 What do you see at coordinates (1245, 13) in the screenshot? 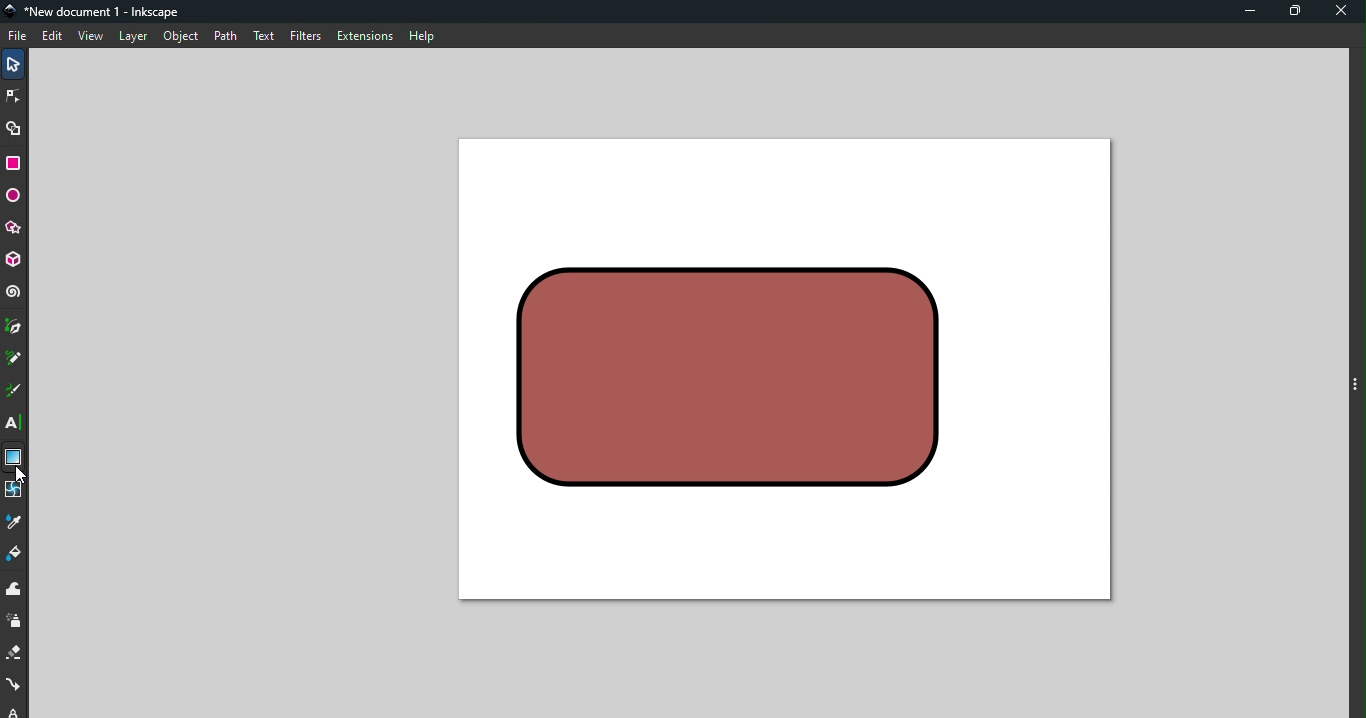
I see `Minimize` at bounding box center [1245, 13].